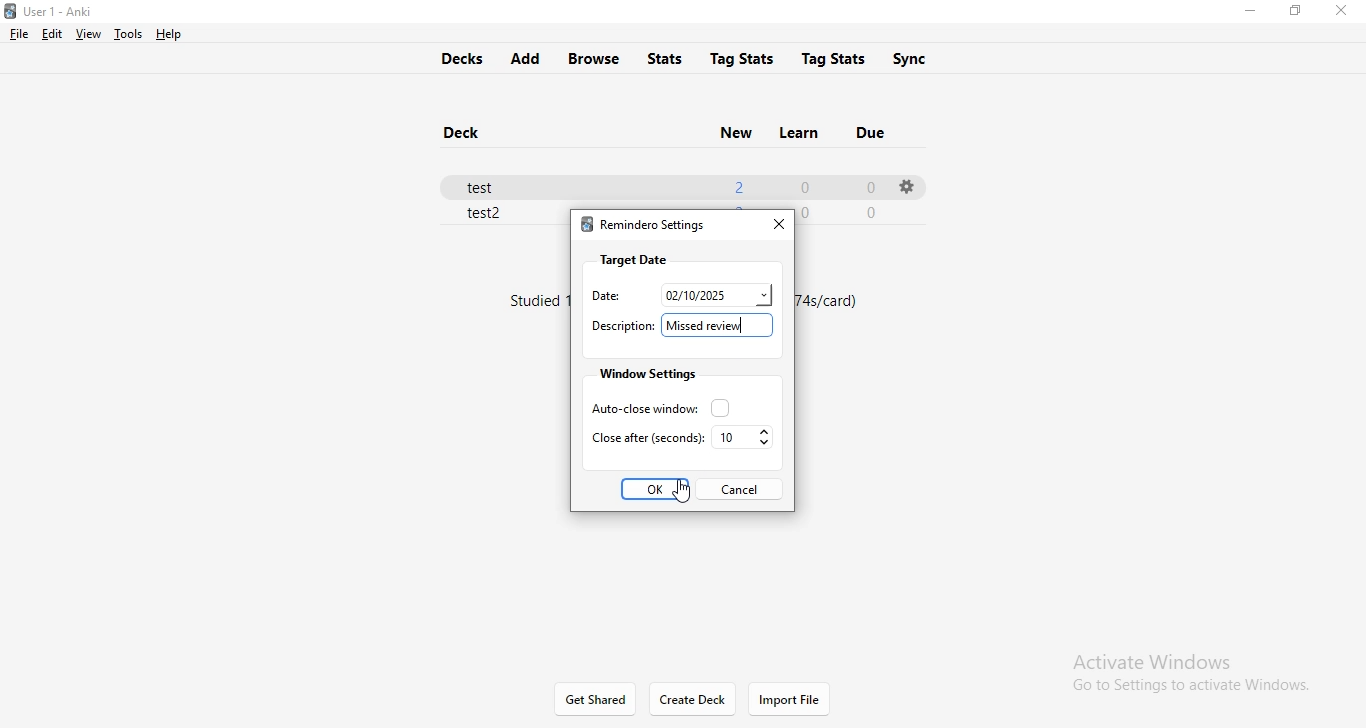  I want to click on view, so click(86, 34).